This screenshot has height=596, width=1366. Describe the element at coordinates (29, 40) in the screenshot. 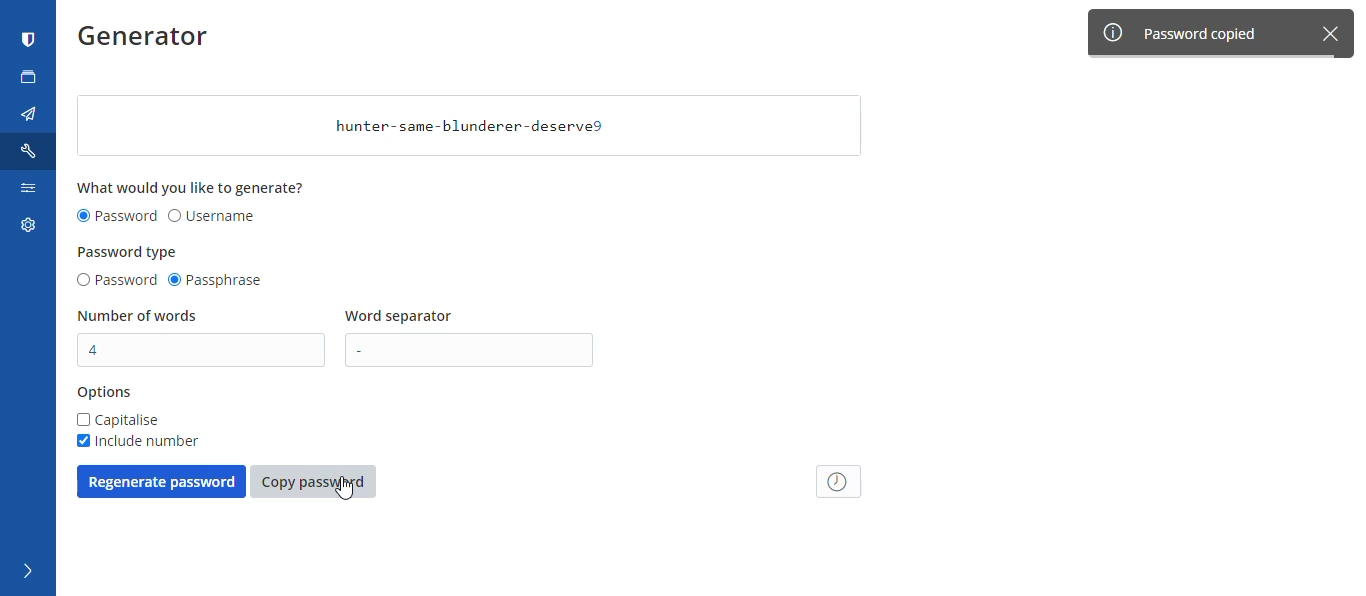

I see `bitwarden logo` at that location.